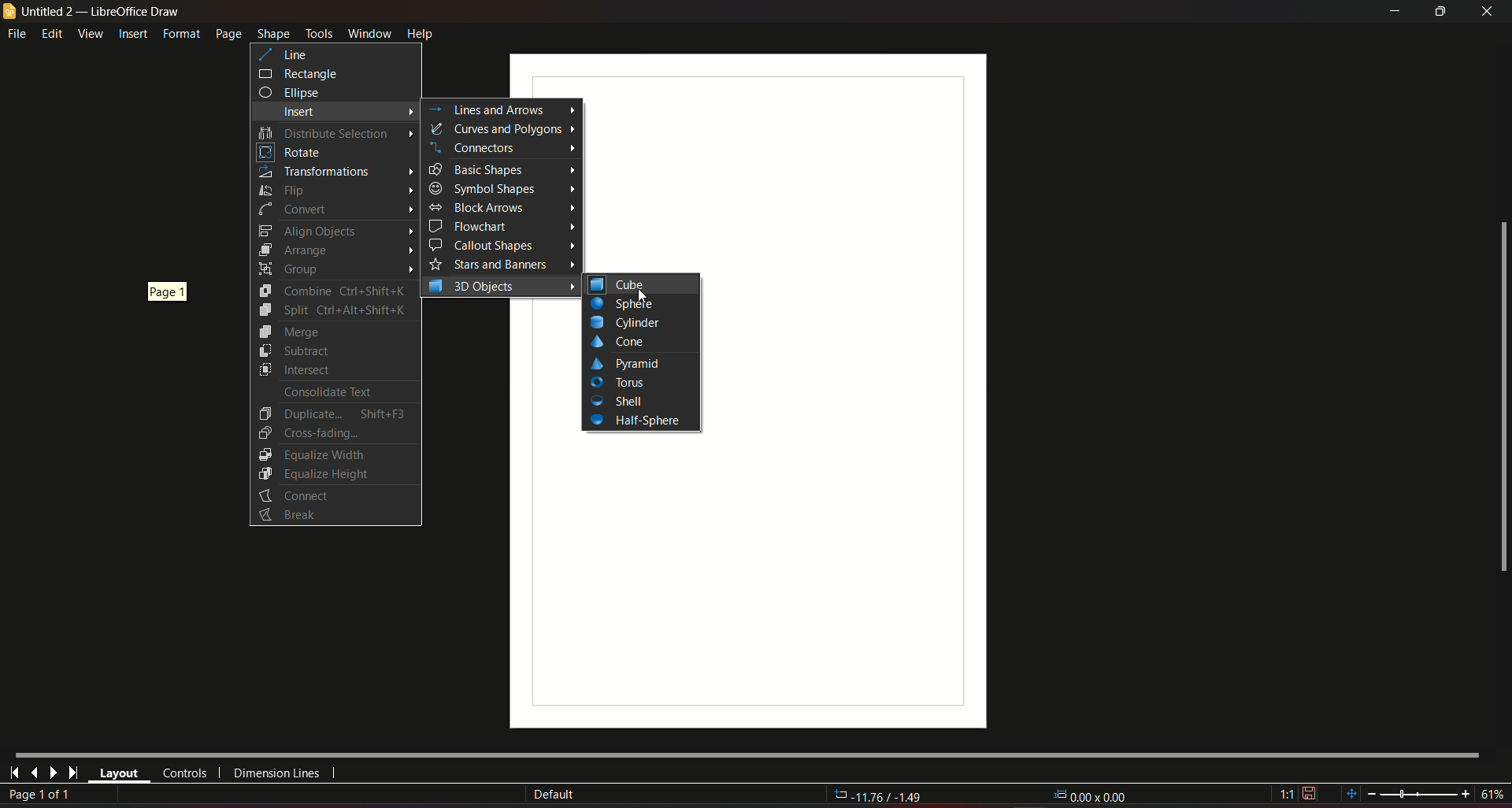 This screenshot has height=808, width=1512. I want to click on Default, so click(554, 795).